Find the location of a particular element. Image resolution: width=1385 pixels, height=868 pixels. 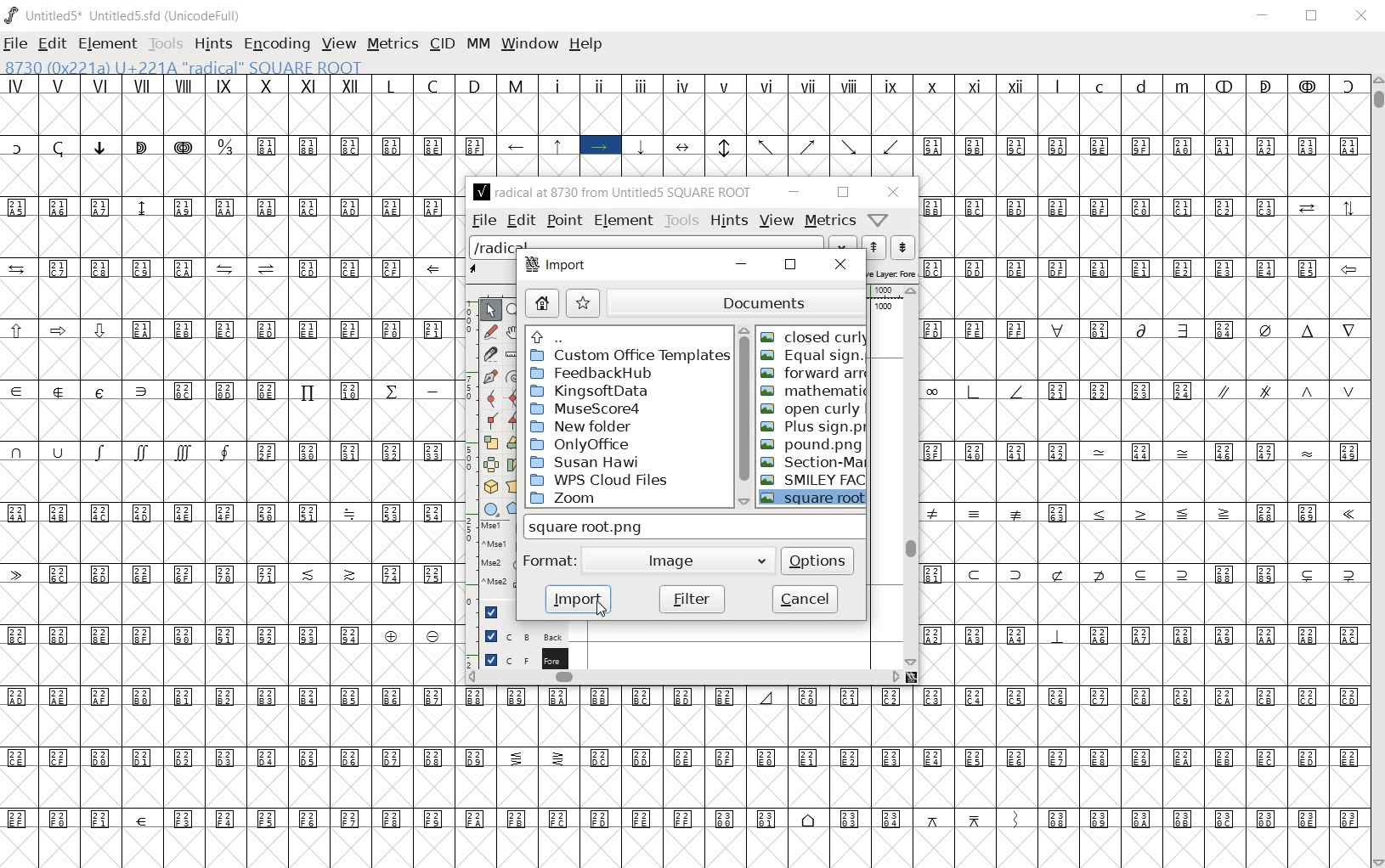

show the previous word on the list is located at coordinates (903, 246).